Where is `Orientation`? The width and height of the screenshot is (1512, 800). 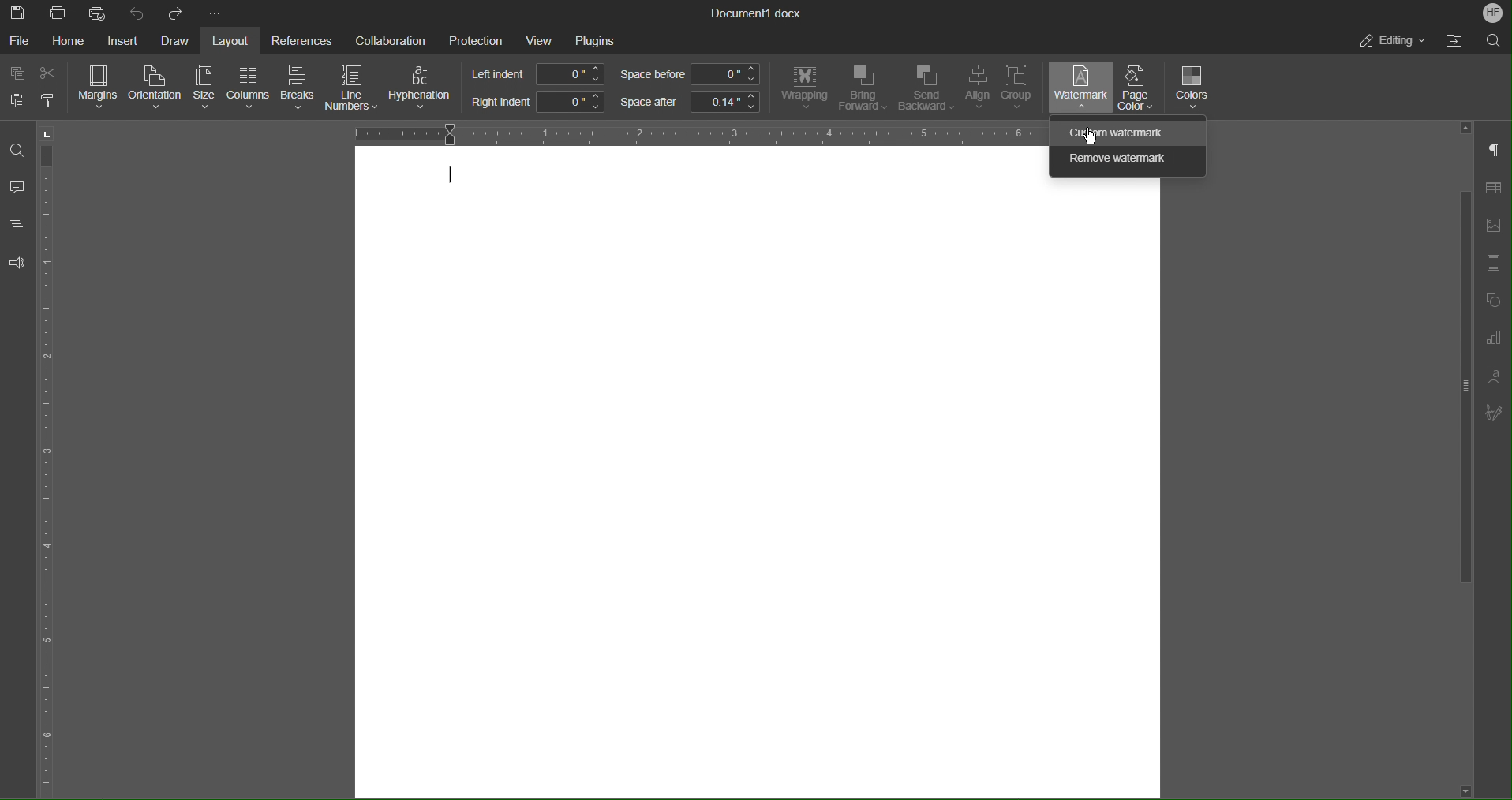
Orientation is located at coordinates (156, 88).